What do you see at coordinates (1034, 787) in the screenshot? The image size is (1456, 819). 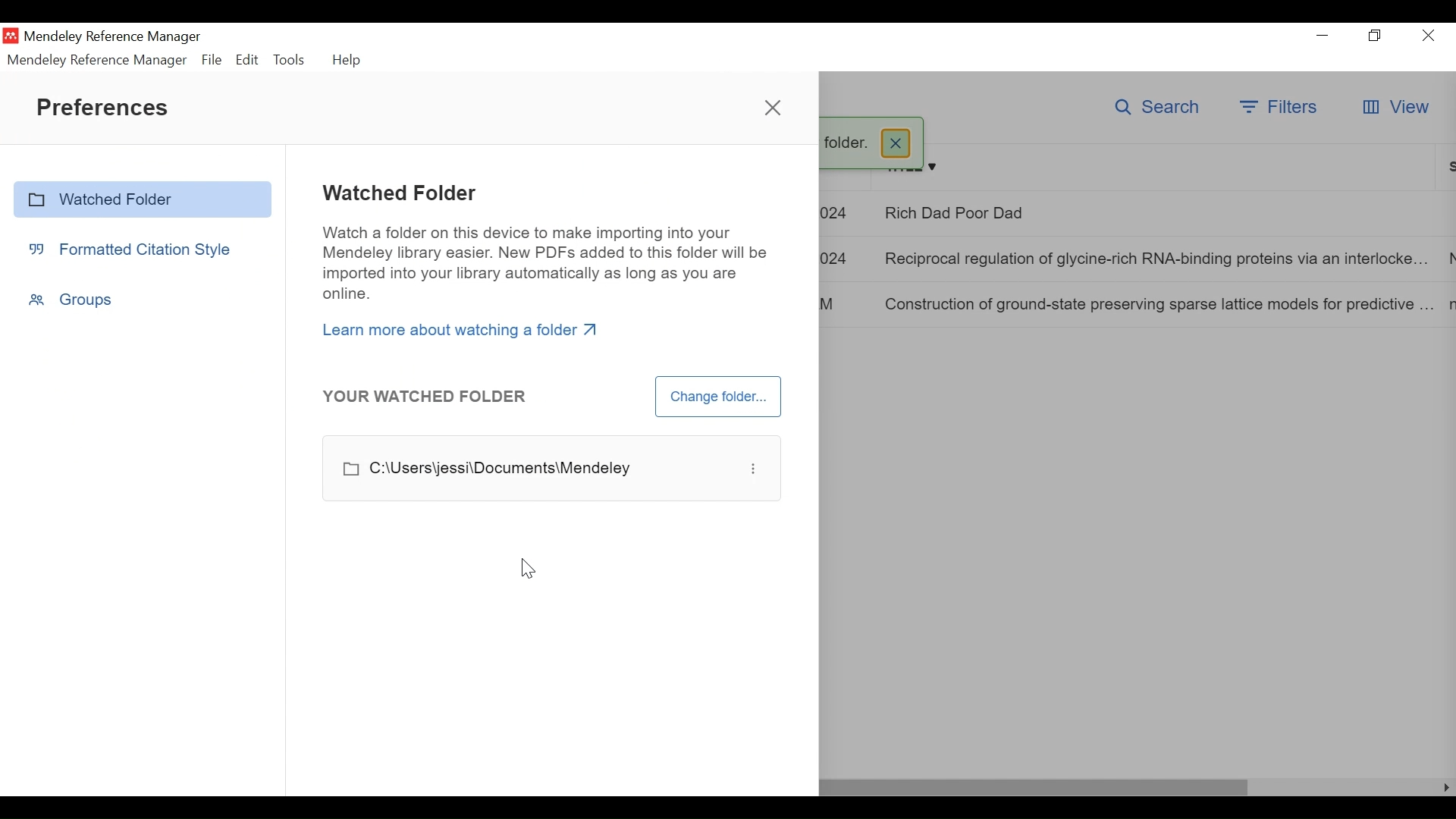 I see `Horizontal Scroll bar` at bounding box center [1034, 787].